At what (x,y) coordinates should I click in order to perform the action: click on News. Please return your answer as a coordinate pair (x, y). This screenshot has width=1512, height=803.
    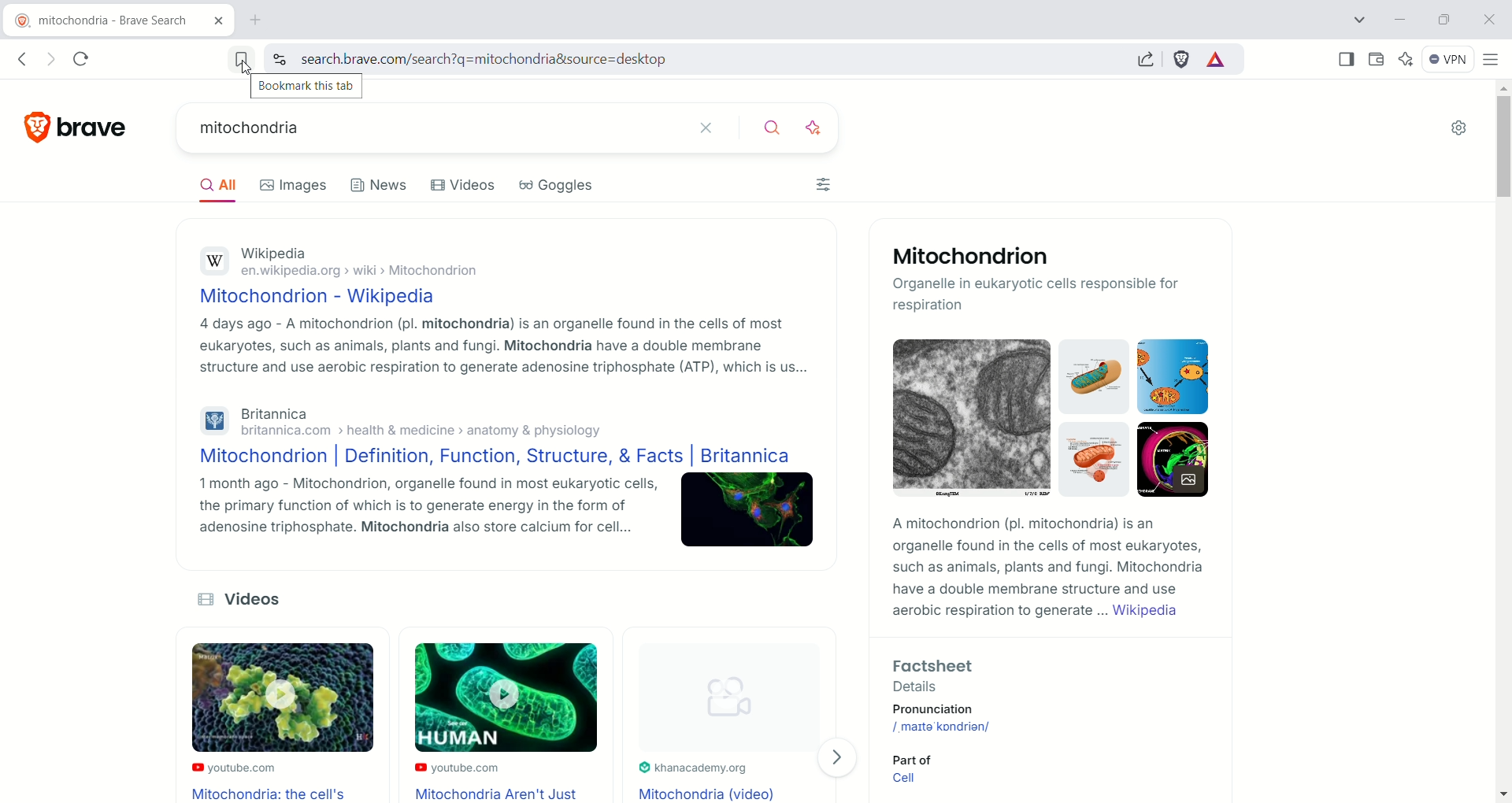
    Looking at the image, I should click on (382, 186).